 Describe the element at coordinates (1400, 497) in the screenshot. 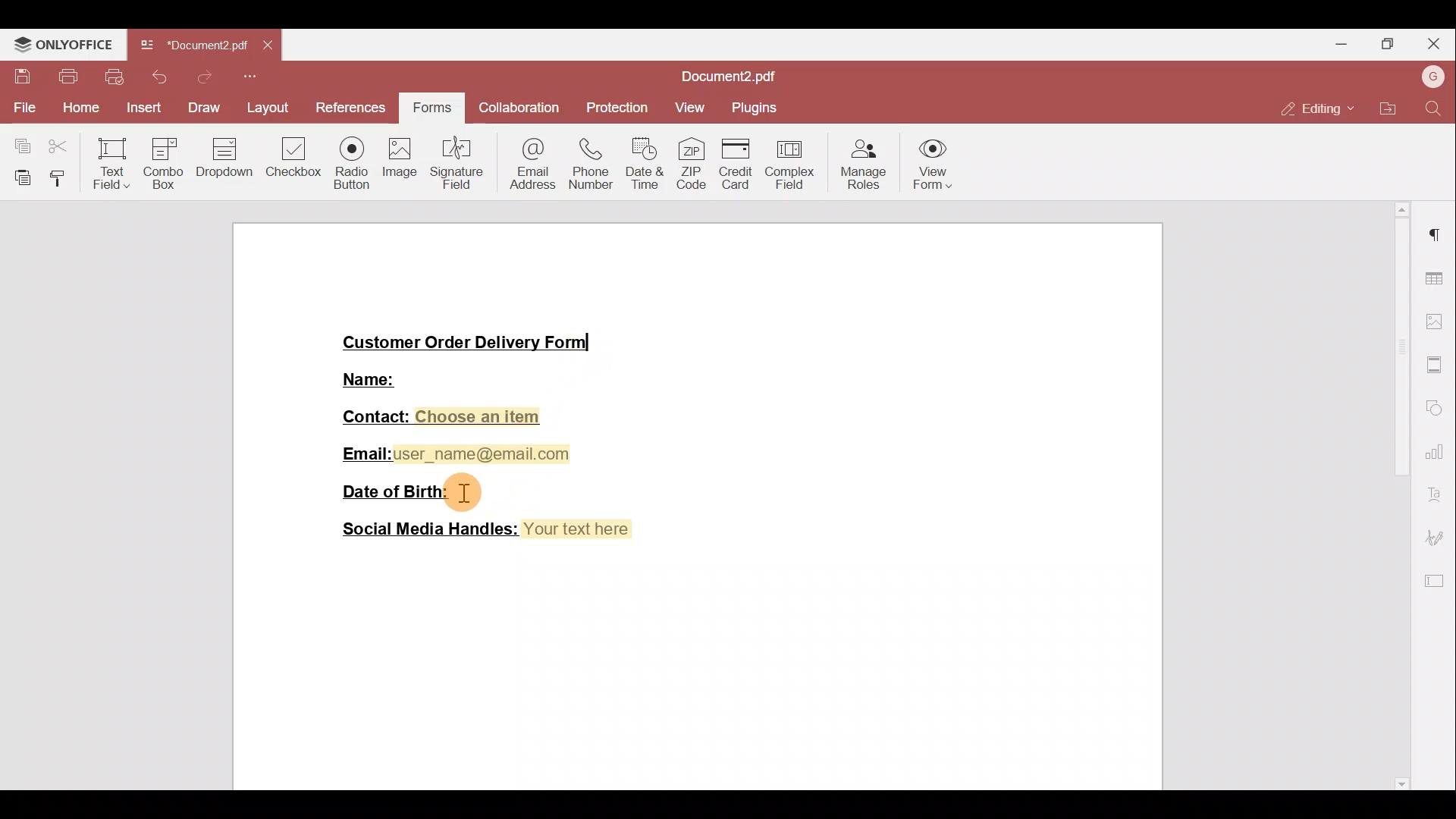

I see `Scroll bar` at that location.